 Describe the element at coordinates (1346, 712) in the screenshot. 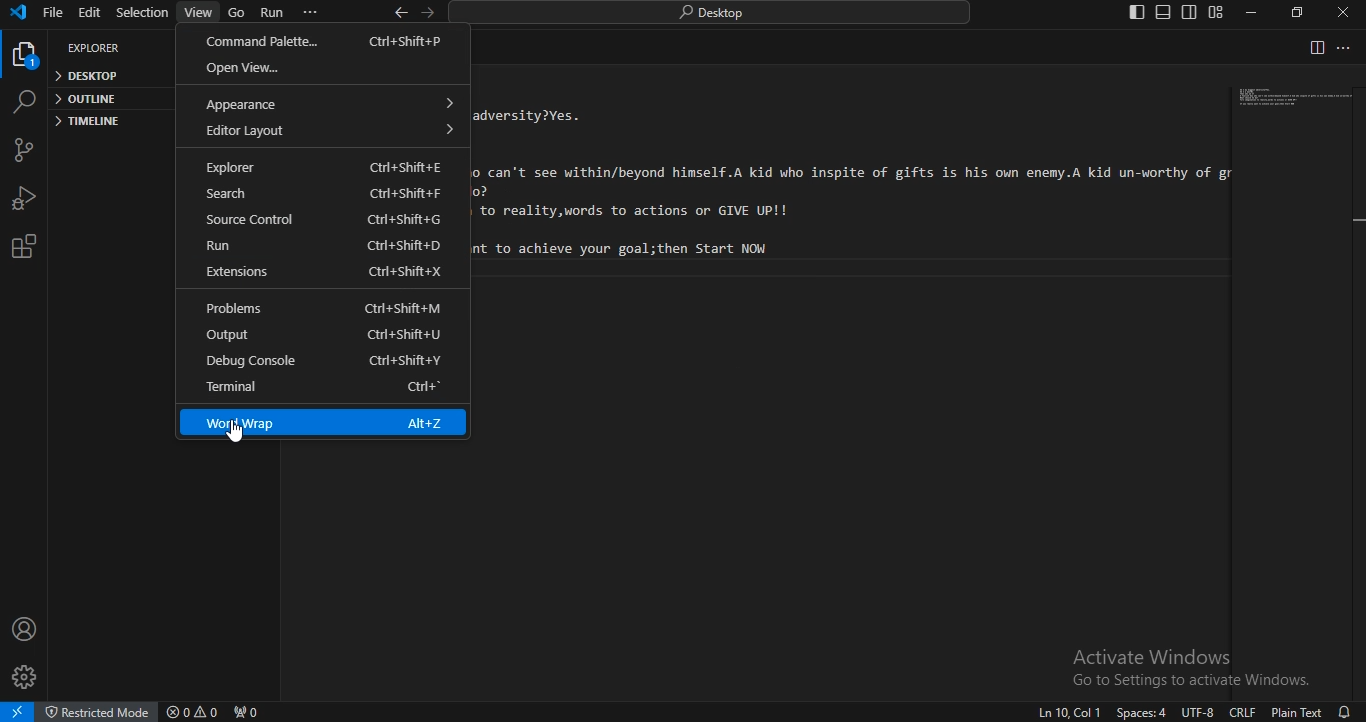

I see `no notifications` at that location.